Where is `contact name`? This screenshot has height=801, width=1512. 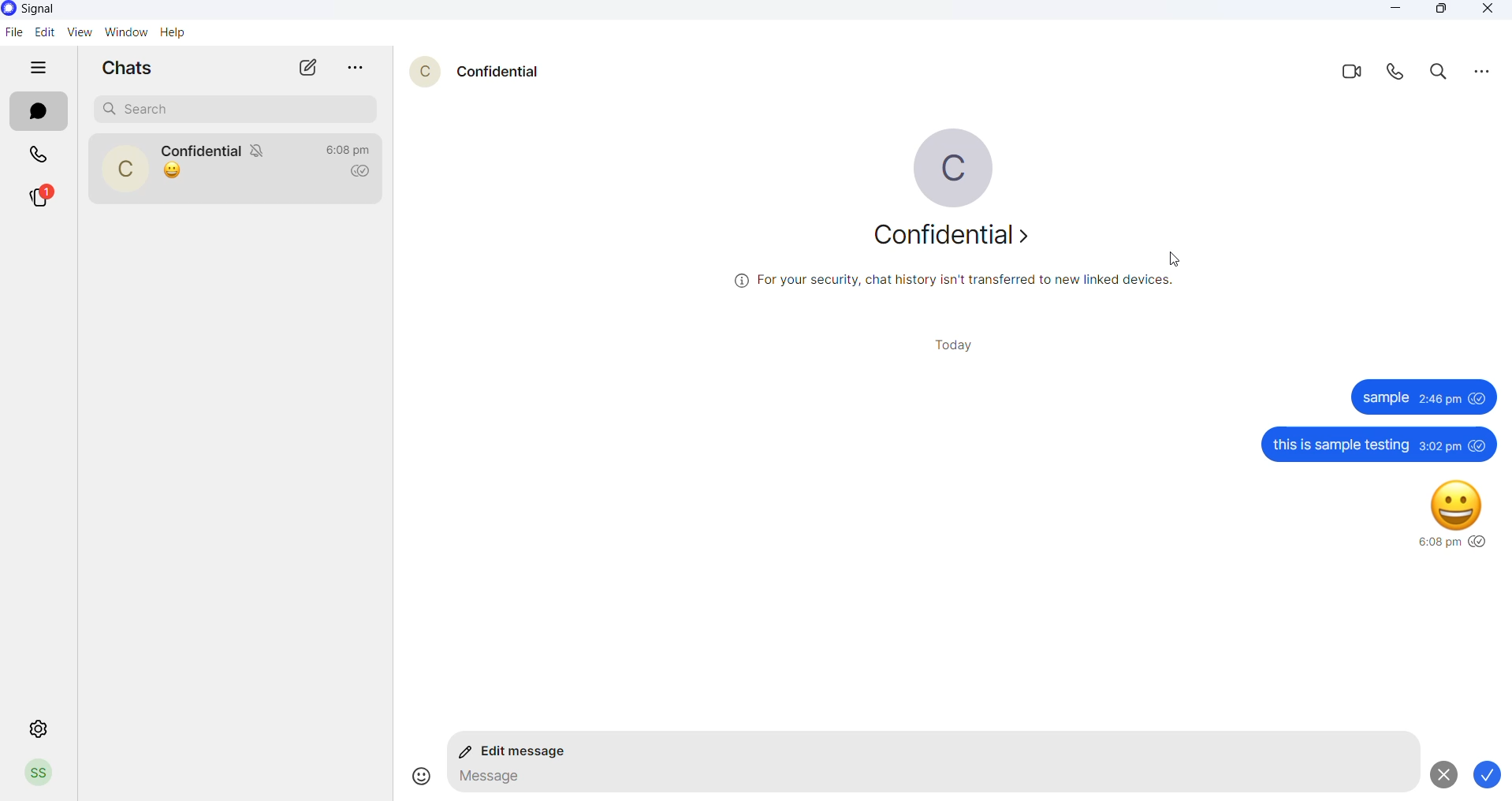 contact name is located at coordinates (498, 70).